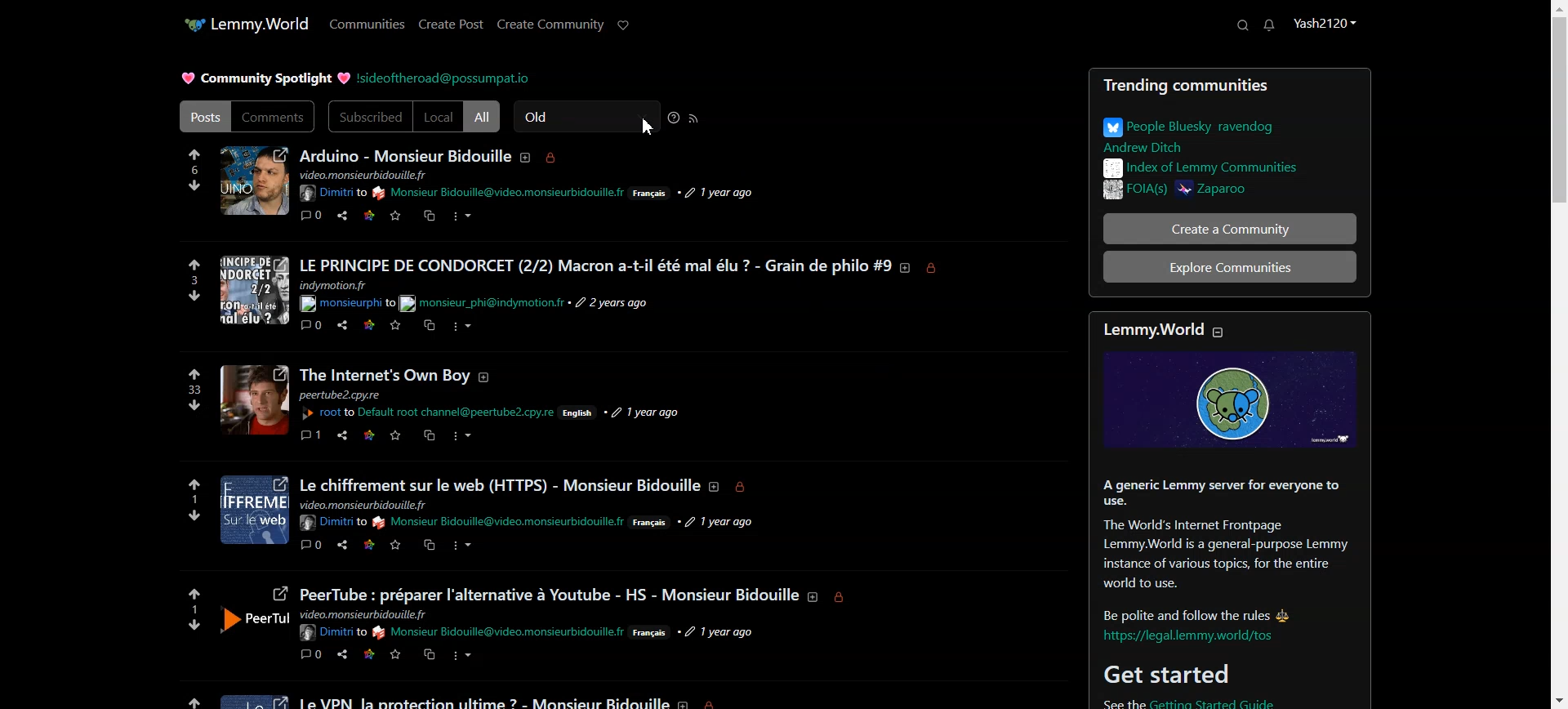  What do you see at coordinates (1114, 703) in the screenshot?
I see `See the` at bounding box center [1114, 703].